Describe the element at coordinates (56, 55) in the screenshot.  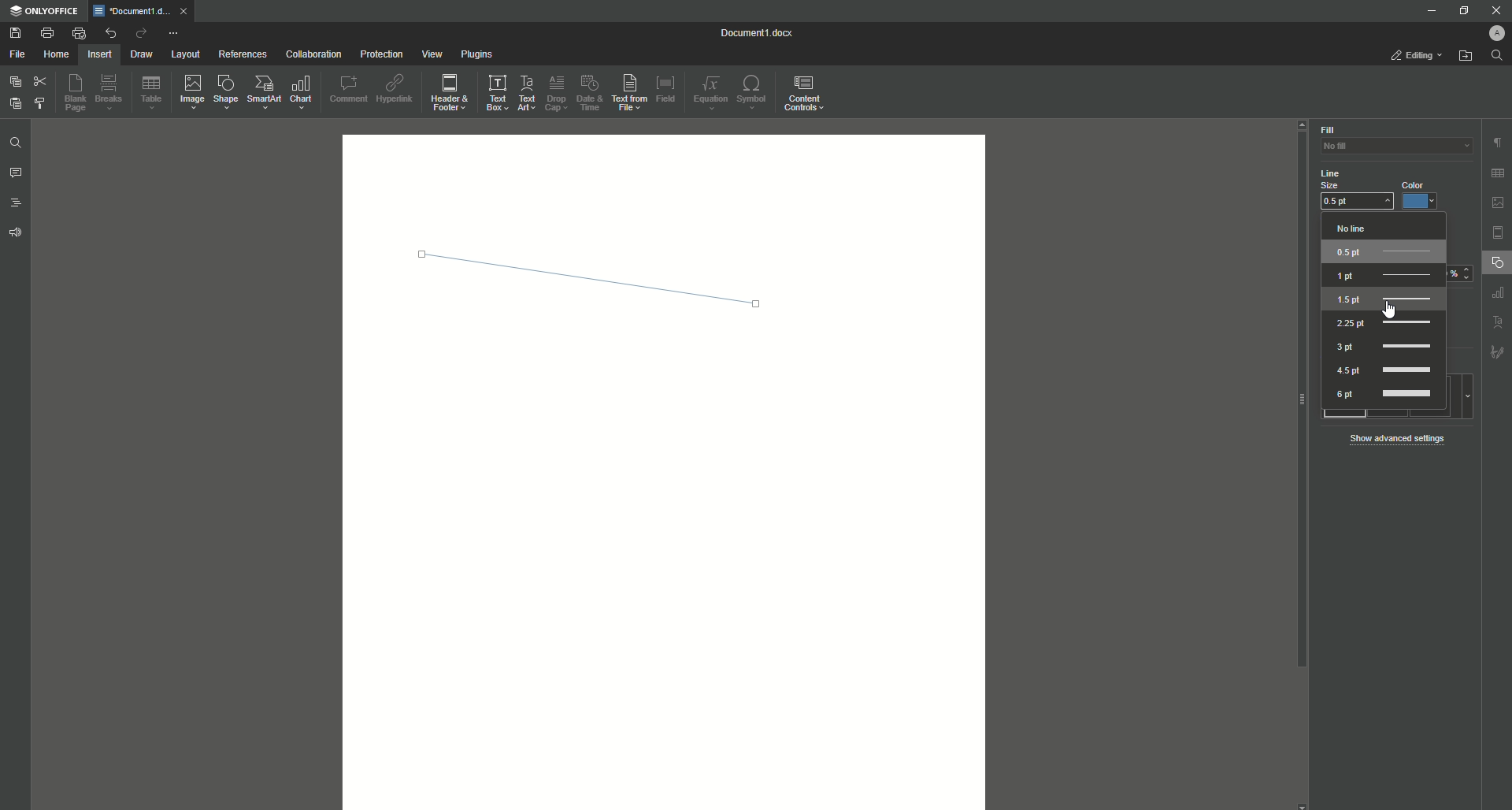
I see `Home` at that location.